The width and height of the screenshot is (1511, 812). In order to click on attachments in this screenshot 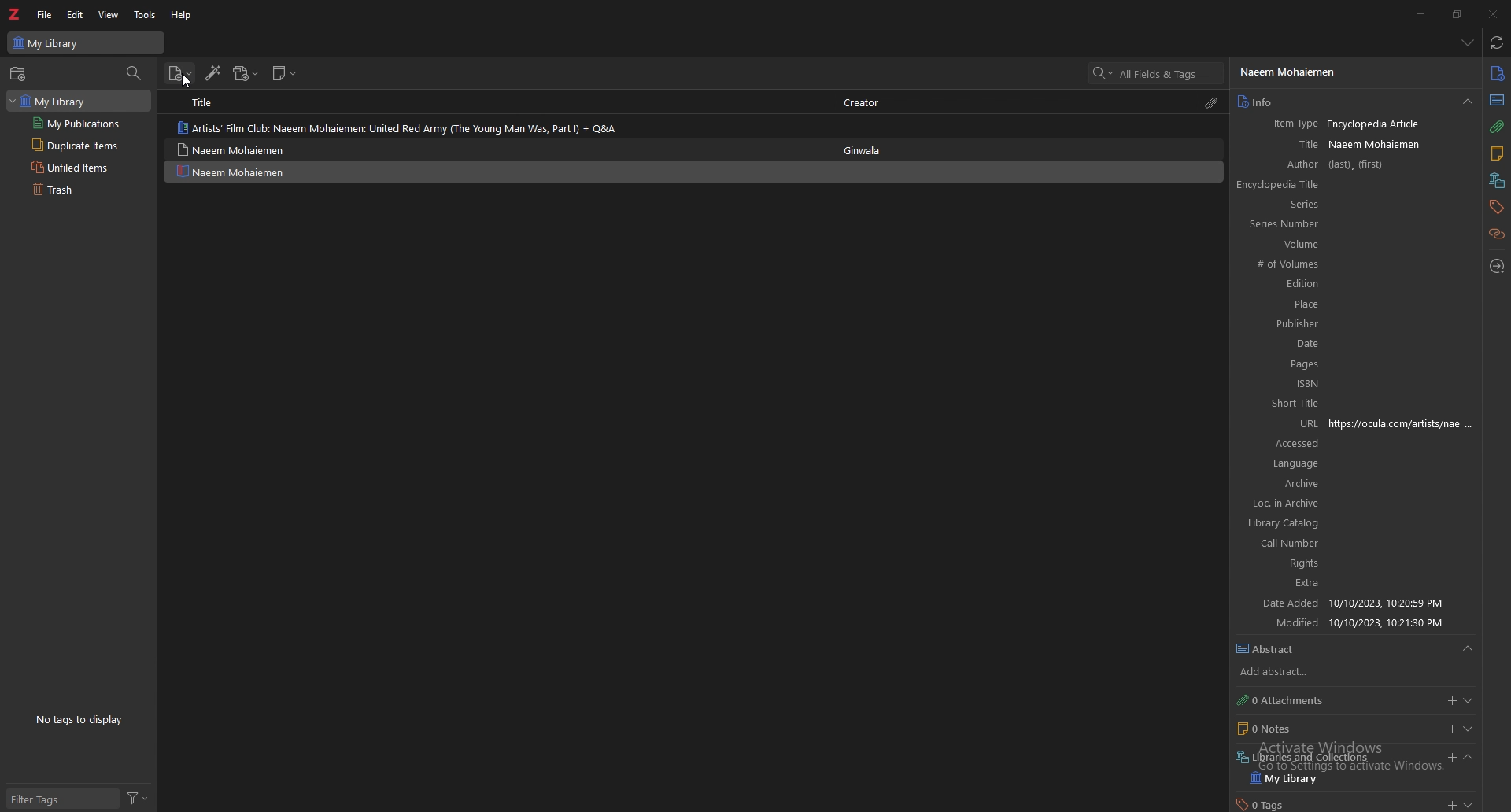, I will do `click(1497, 127)`.